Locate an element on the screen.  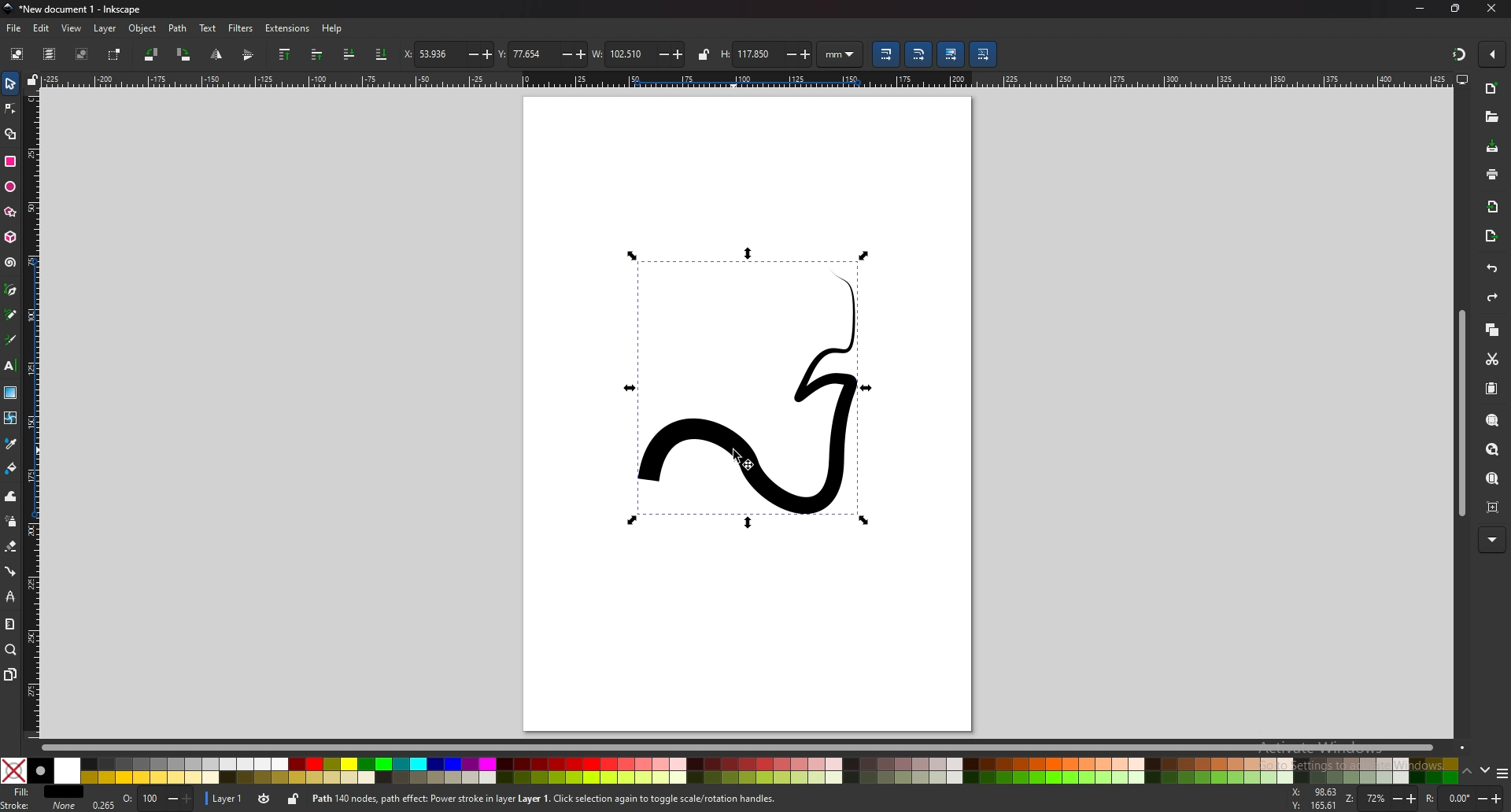
lock guides is located at coordinates (32, 80).